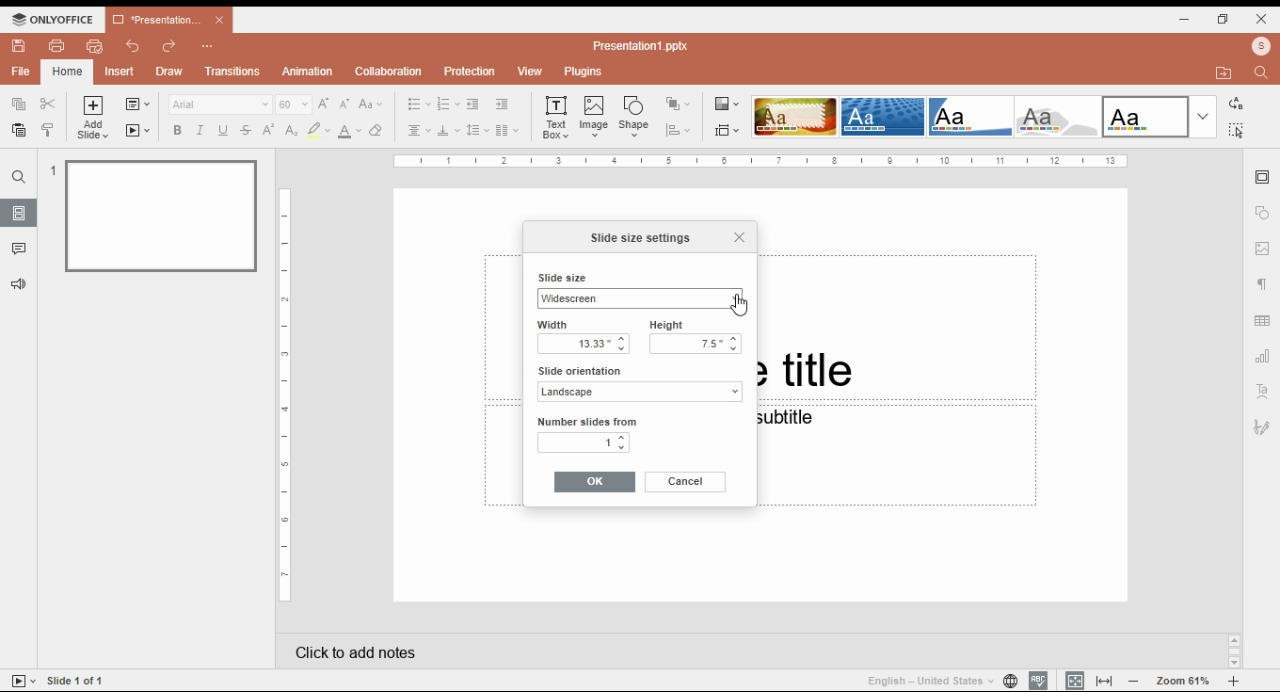 This screenshot has width=1280, height=692. What do you see at coordinates (371, 104) in the screenshot?
I see `change case` at bounding box center [371, 104].